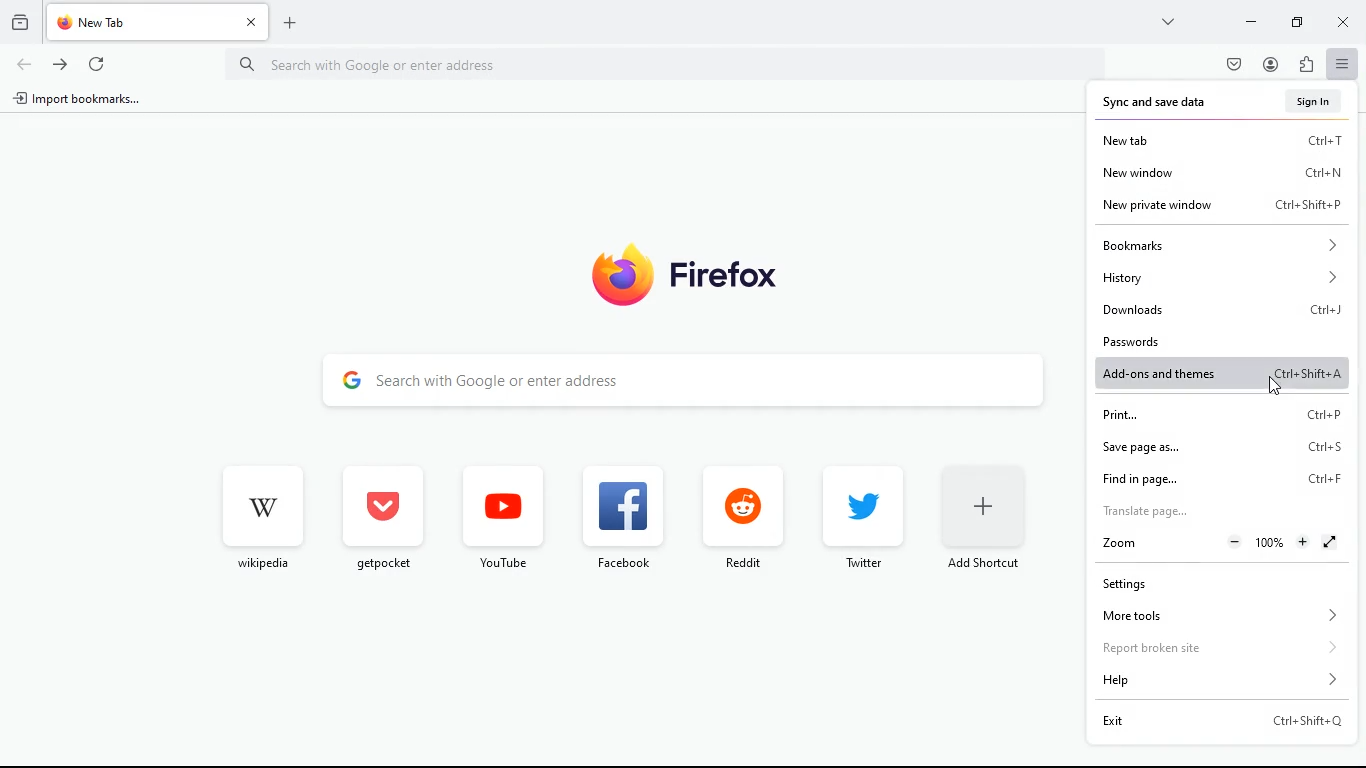  What do you see at coordinates (1236, 67) in the screenshot?
I see `pocket` at bounding box center [1236, 67].